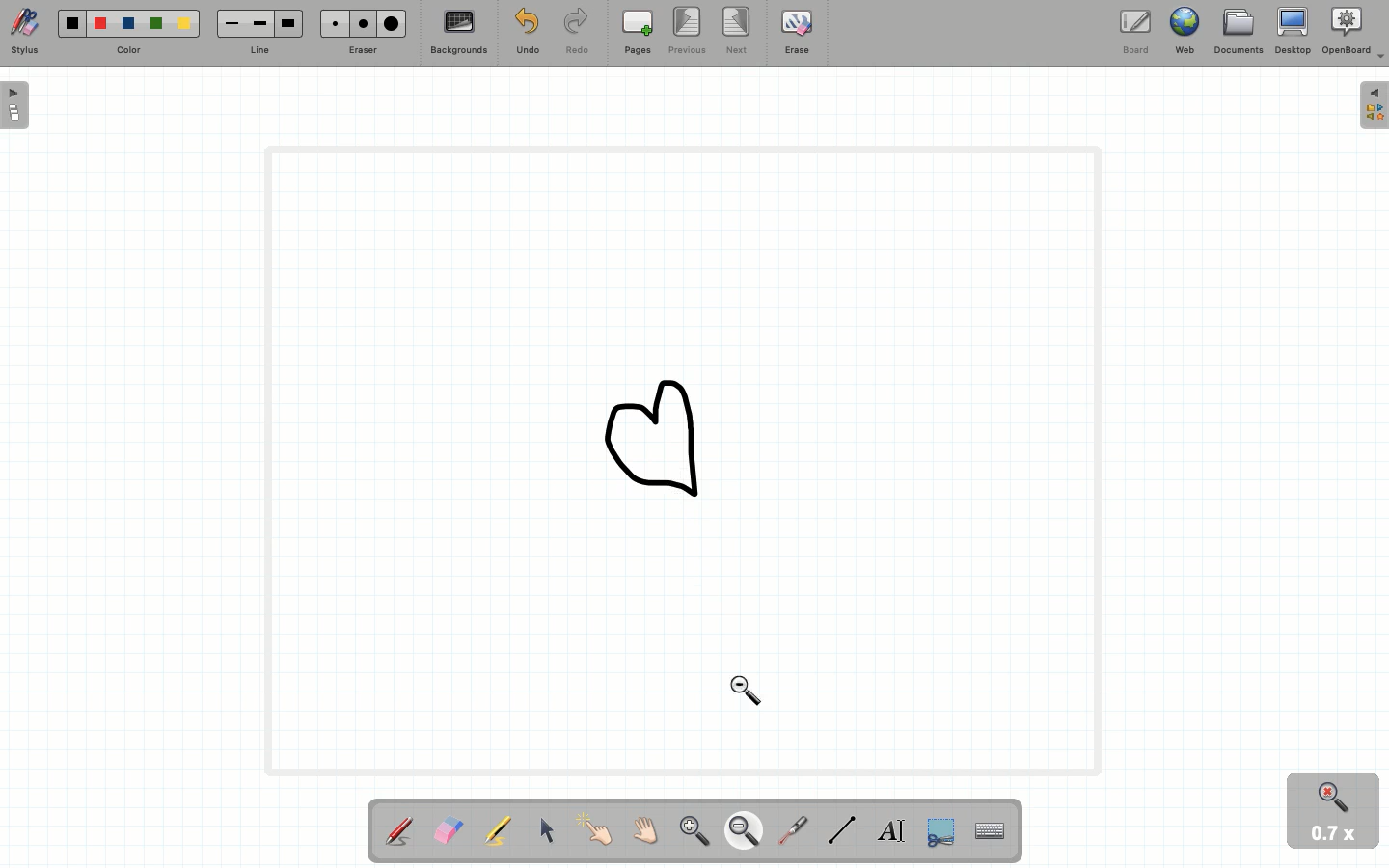  Describe the element at coordinates (574, 33) in the screenshot. I see `Redo` at that location.